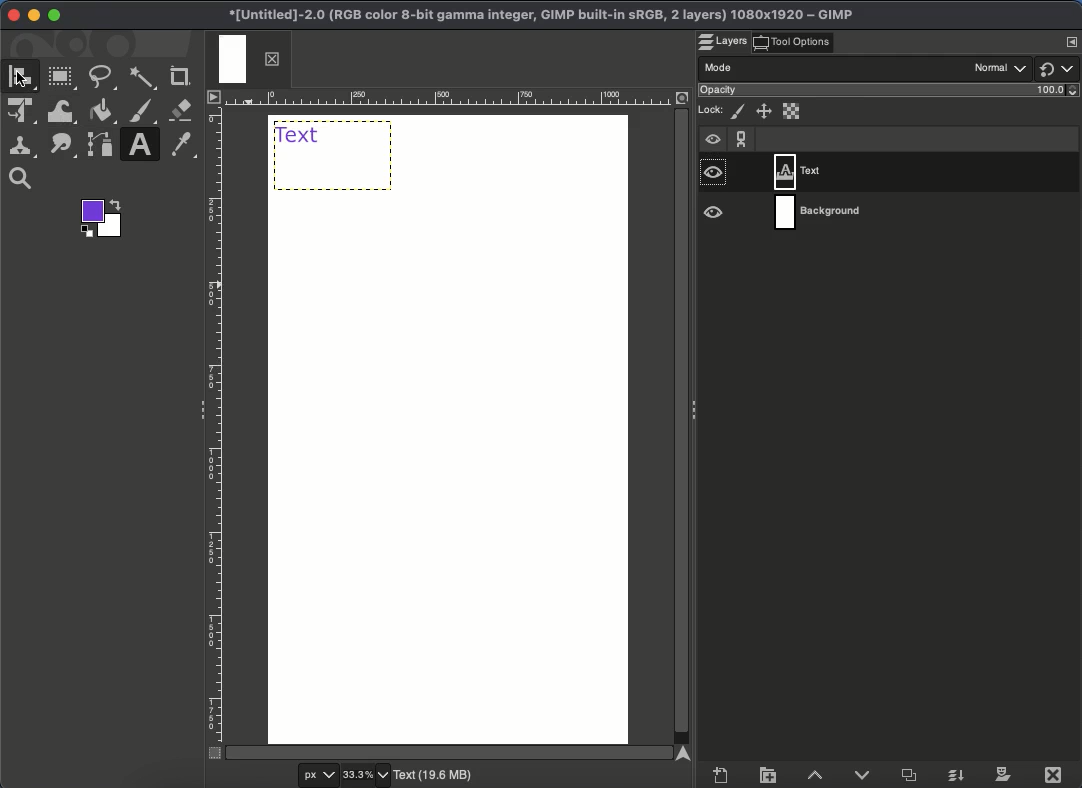 The width and height of the screenshot is (1082, 788). What do you see at coordinates (453, 751) in the screenshot?
I see `Scroll` at bounding box center [453, 751].